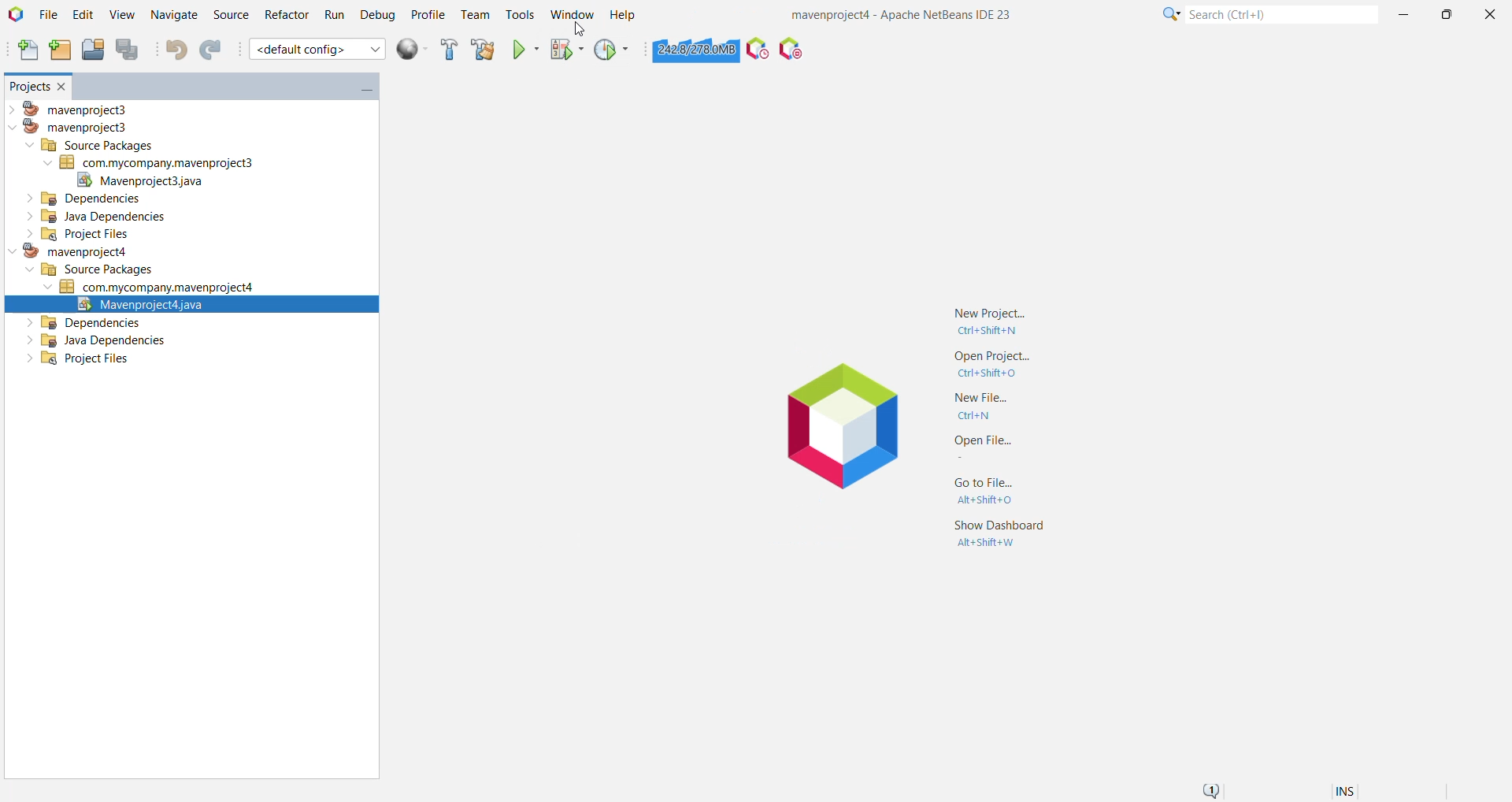 The width and height of the screenshot is (1512, 802). What do you see at coordinates (66, 253) in the screenshot?
I see `mavenproject4` at bounding box center [66, 253].